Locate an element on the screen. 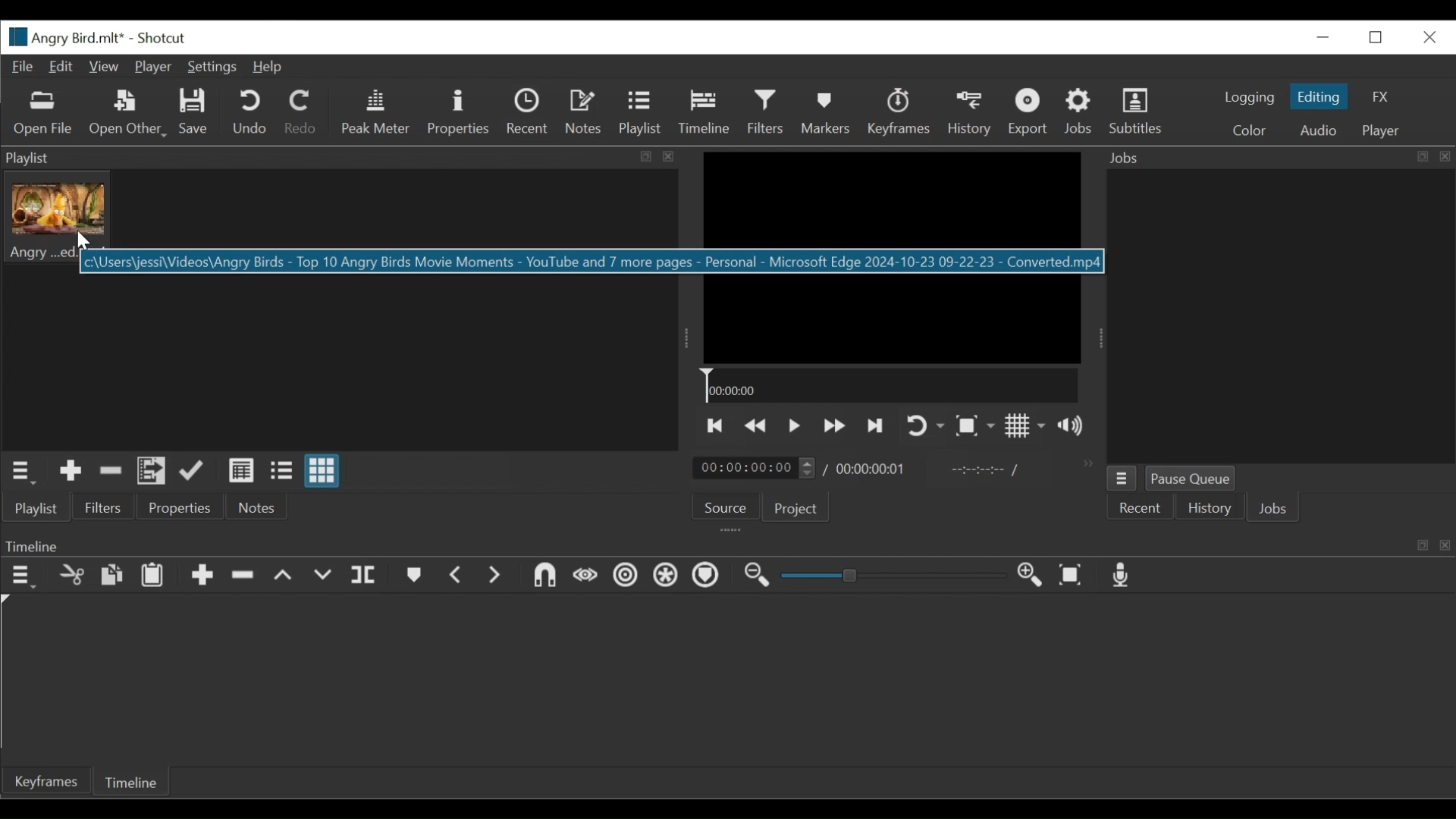 The image size is (1456, 819). Peak Meter is located at coordinates (376, 113).